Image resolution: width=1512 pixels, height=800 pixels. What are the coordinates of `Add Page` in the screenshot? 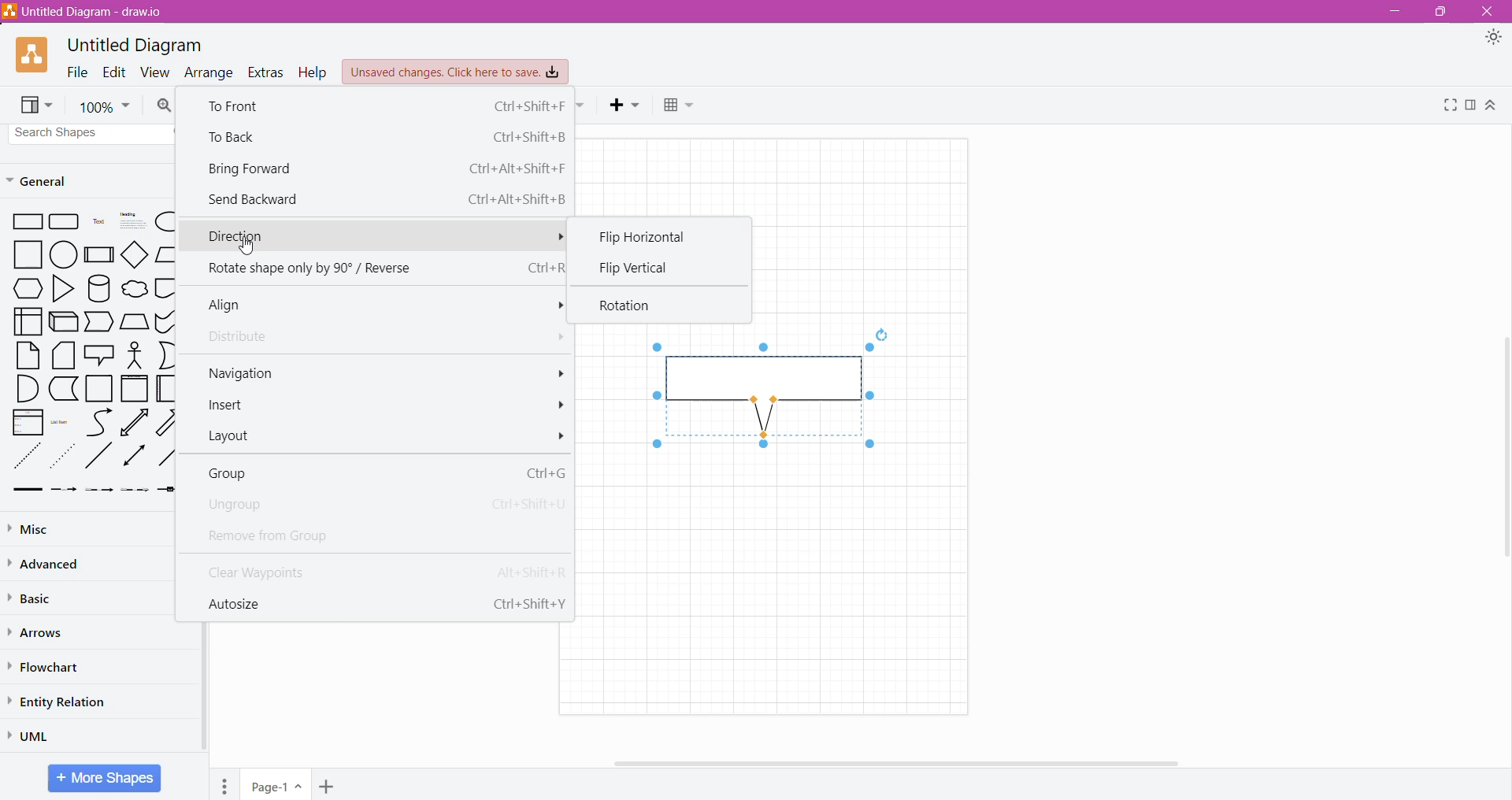 It's located at (326, 786).